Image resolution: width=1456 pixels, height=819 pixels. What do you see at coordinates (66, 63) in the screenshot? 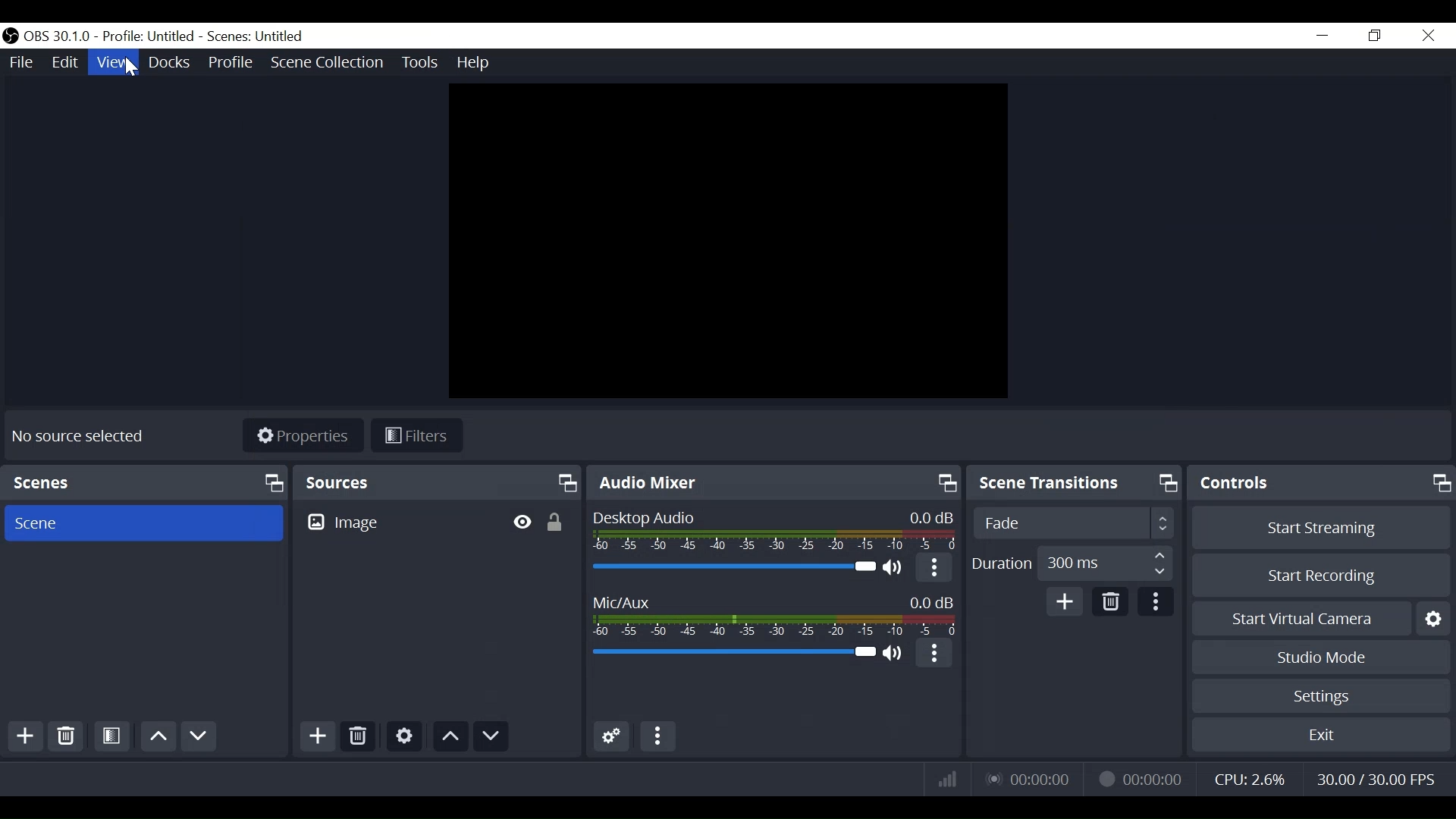
I see `Edit` at bounding box center [66, 63].